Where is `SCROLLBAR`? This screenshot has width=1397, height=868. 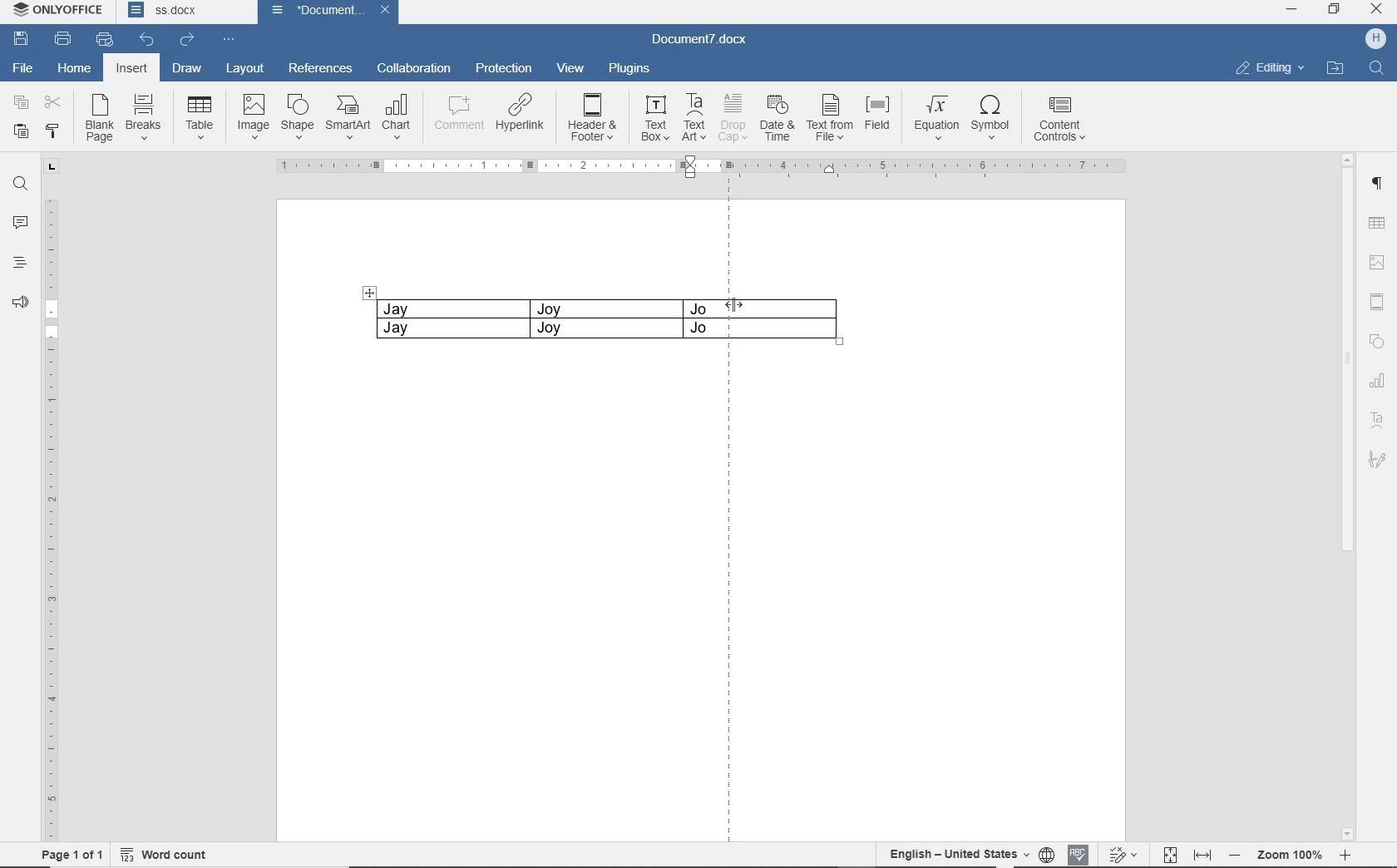
SCROLLBAR is located at coordinates (1346, 496).